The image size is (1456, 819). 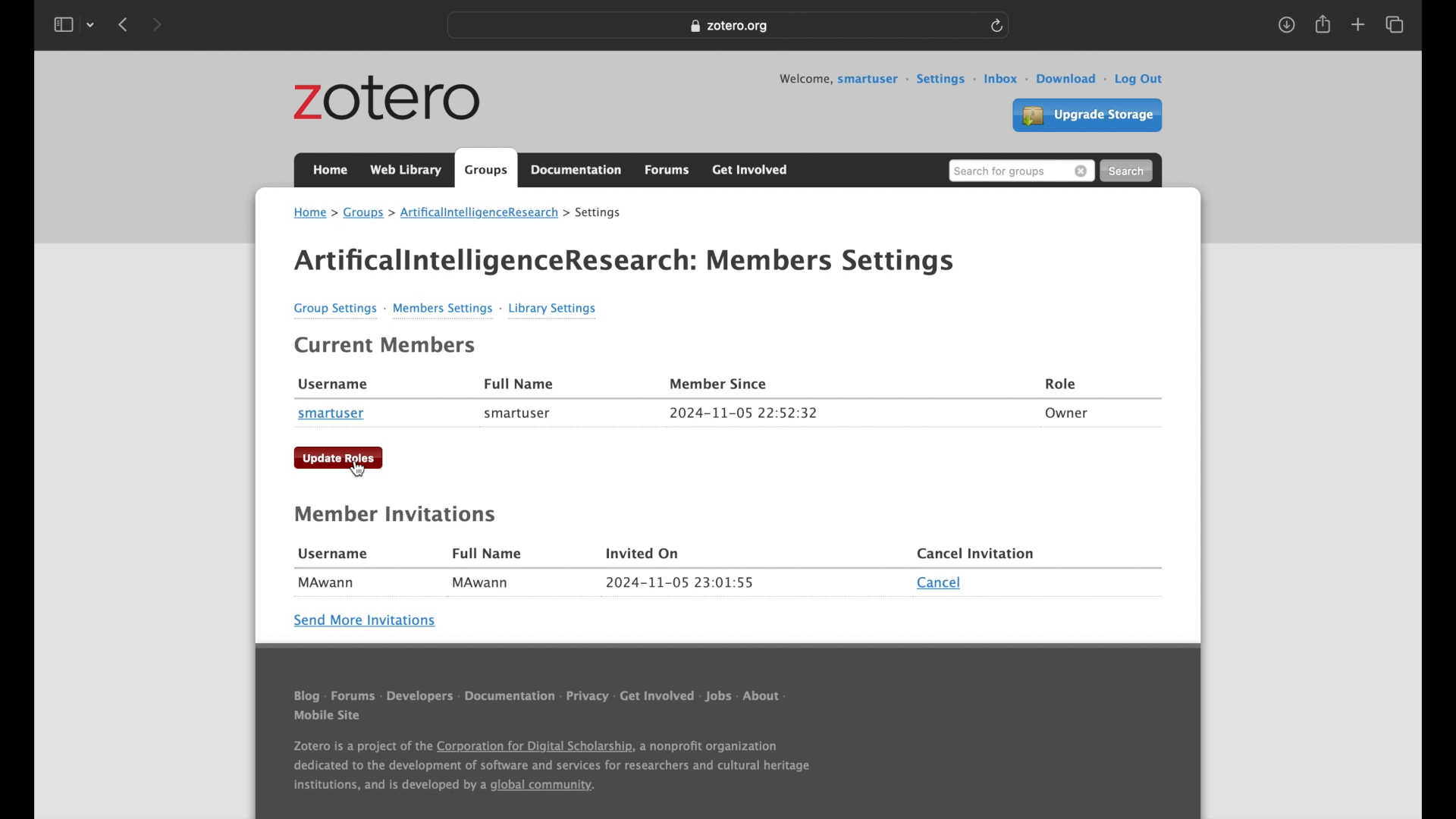 What do you see at coordinates (331, 414) in the screenshot?
I see `smartuser` at bounding box center [331, 414].